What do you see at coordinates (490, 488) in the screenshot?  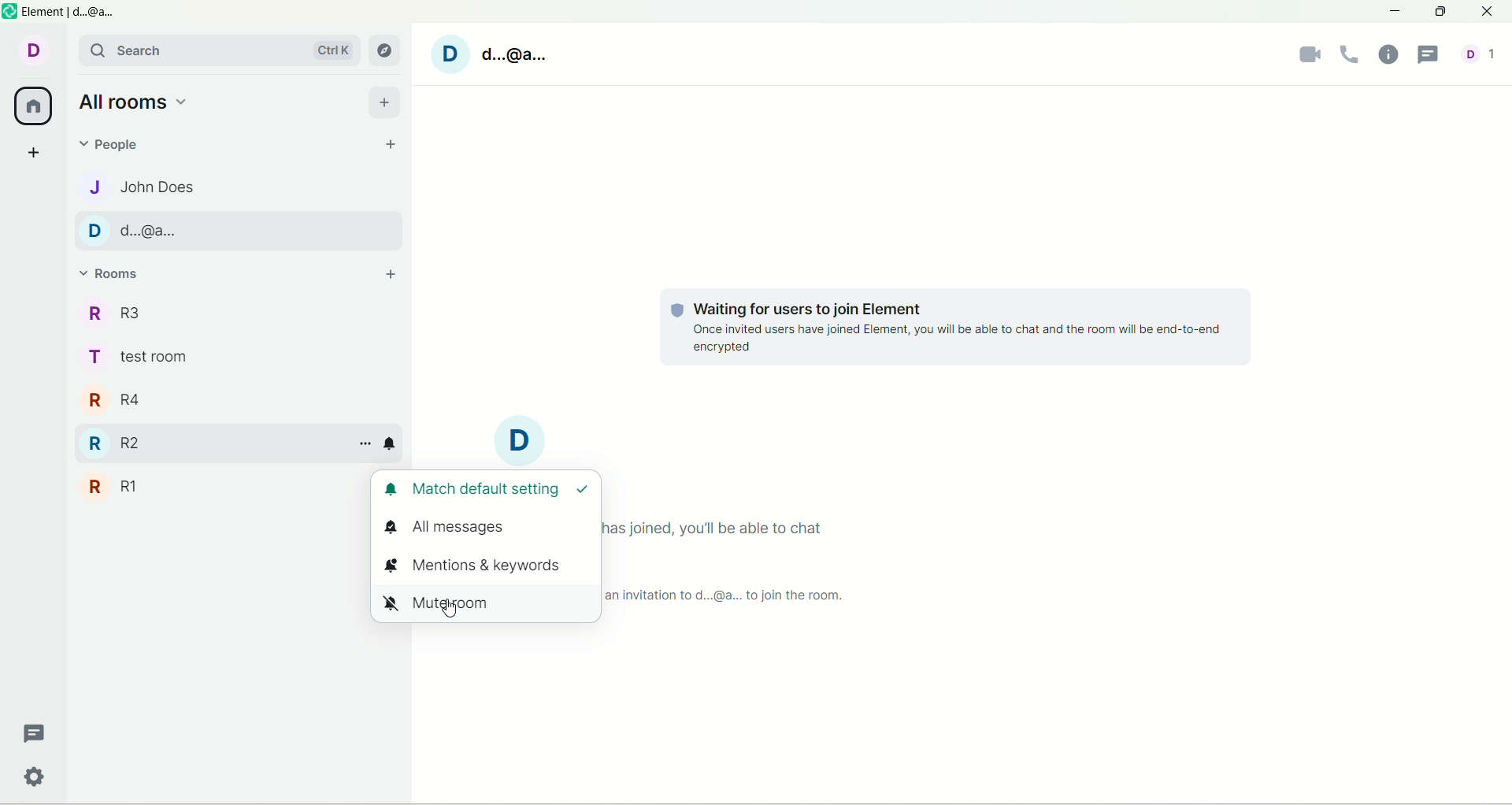 I see `match default settings` at bounding box center [490, 488].